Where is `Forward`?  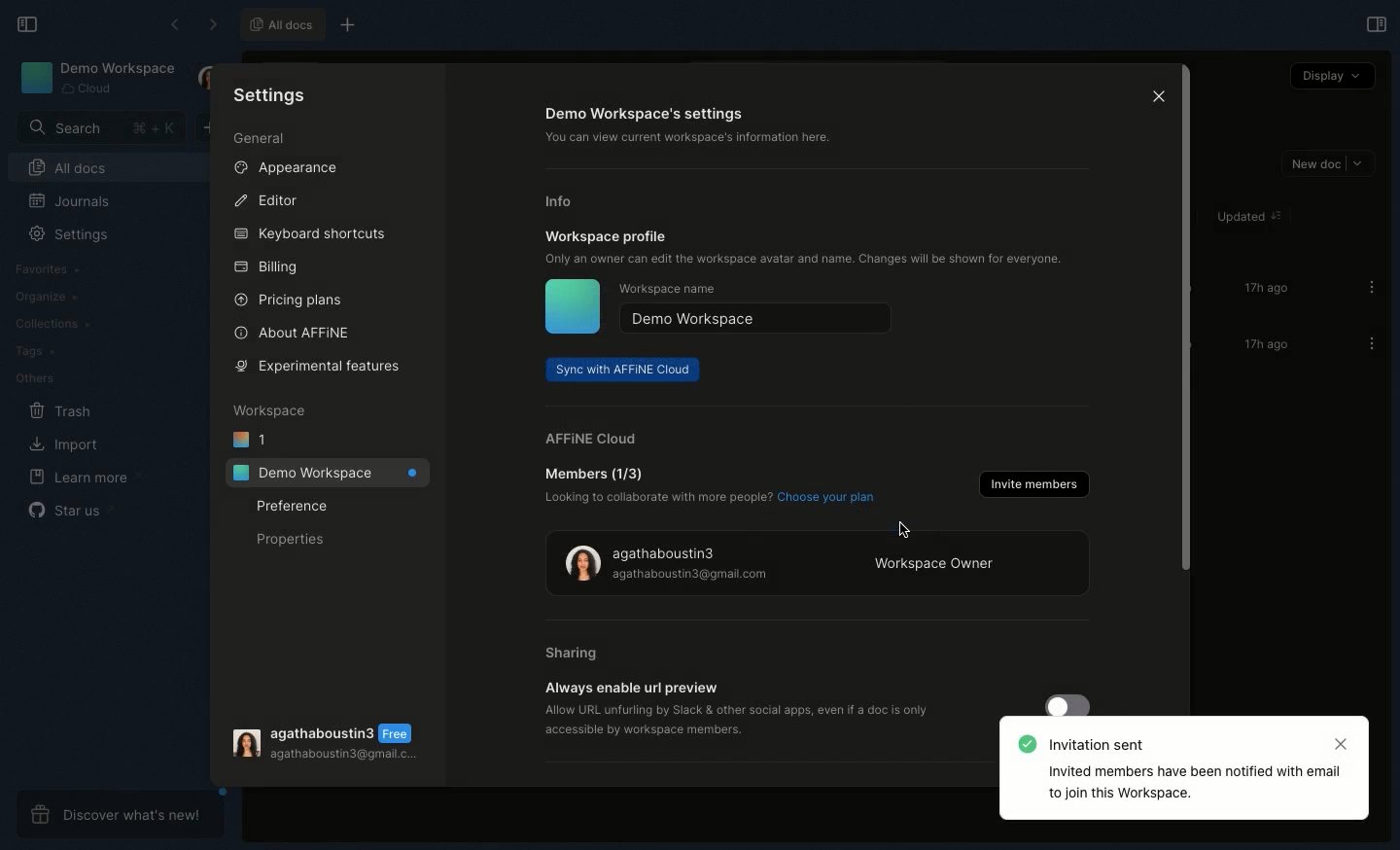 Forward is located at coordinates (210, 23).